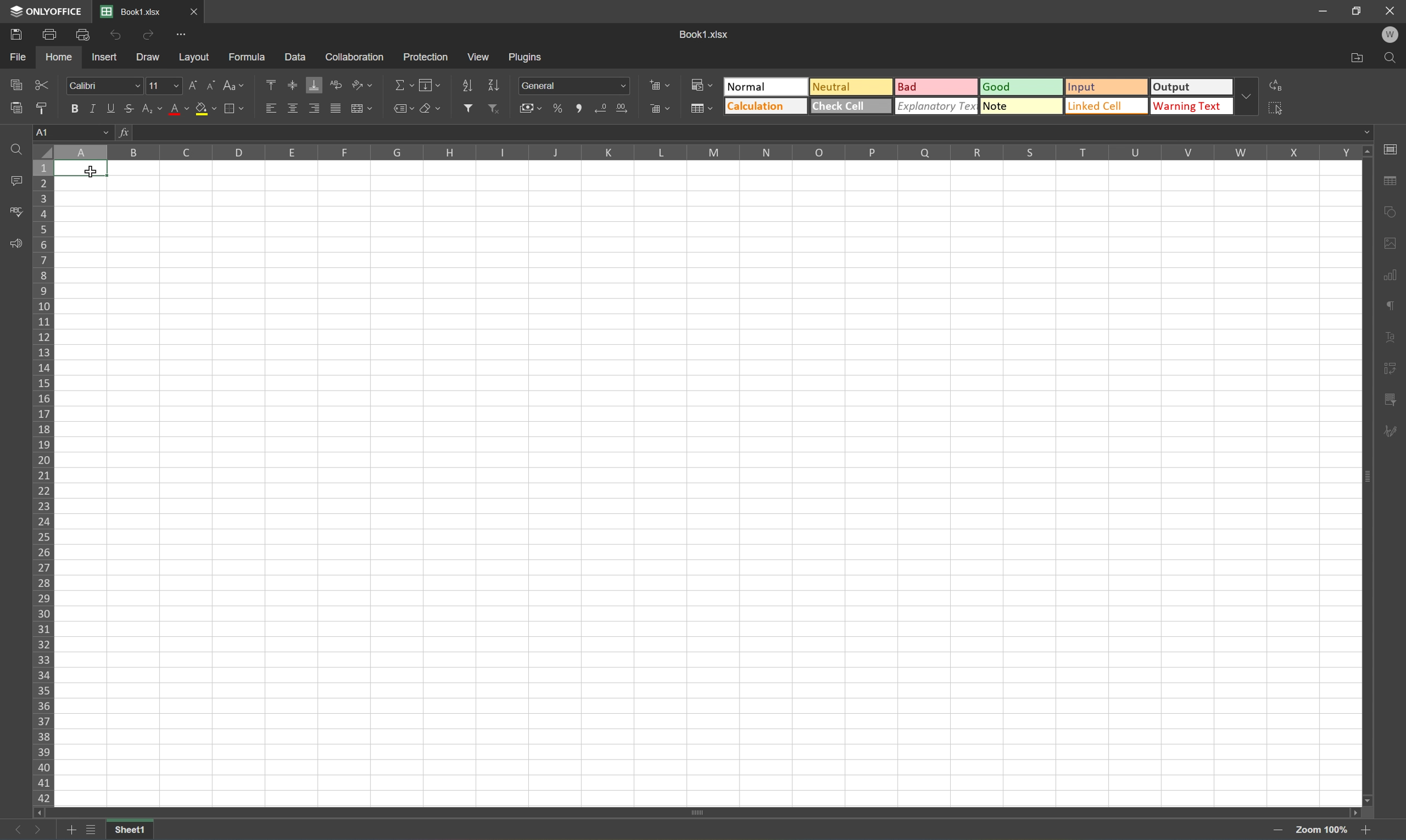 This screenshot has width=1406, height=840. I want to click on Align top, so click(271, 83).